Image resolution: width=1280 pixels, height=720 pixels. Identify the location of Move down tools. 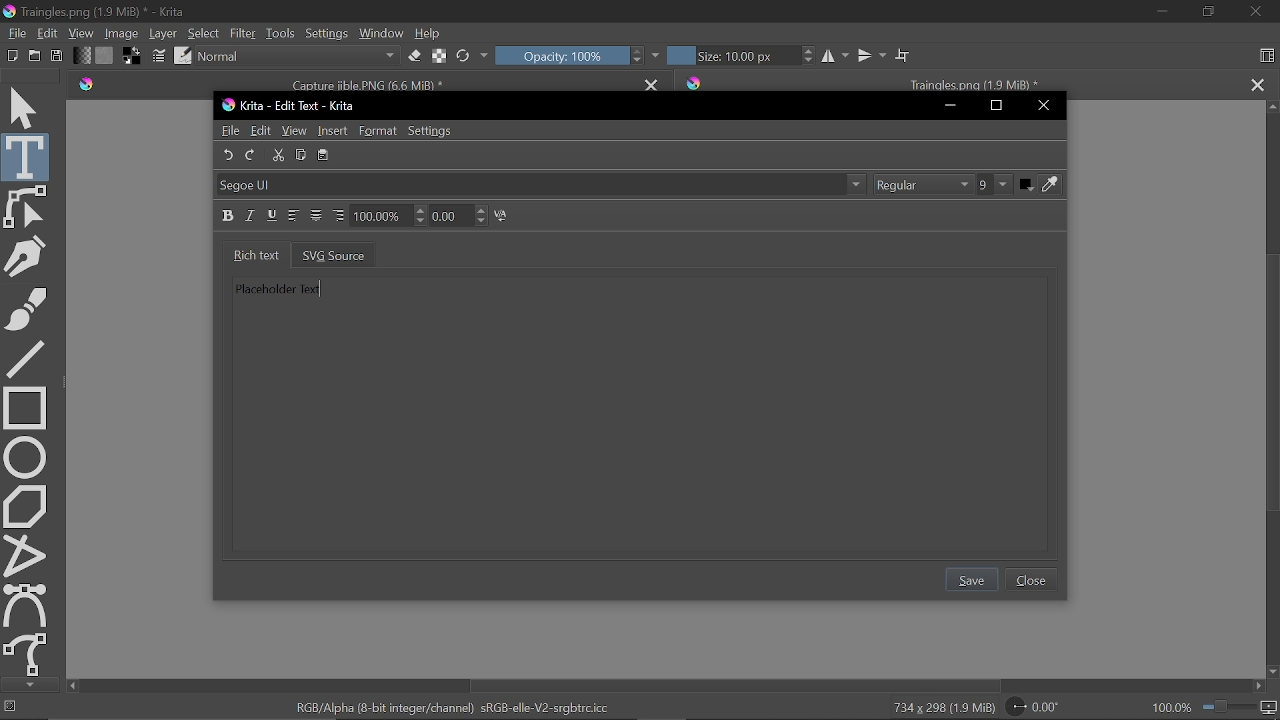
(28, 684).